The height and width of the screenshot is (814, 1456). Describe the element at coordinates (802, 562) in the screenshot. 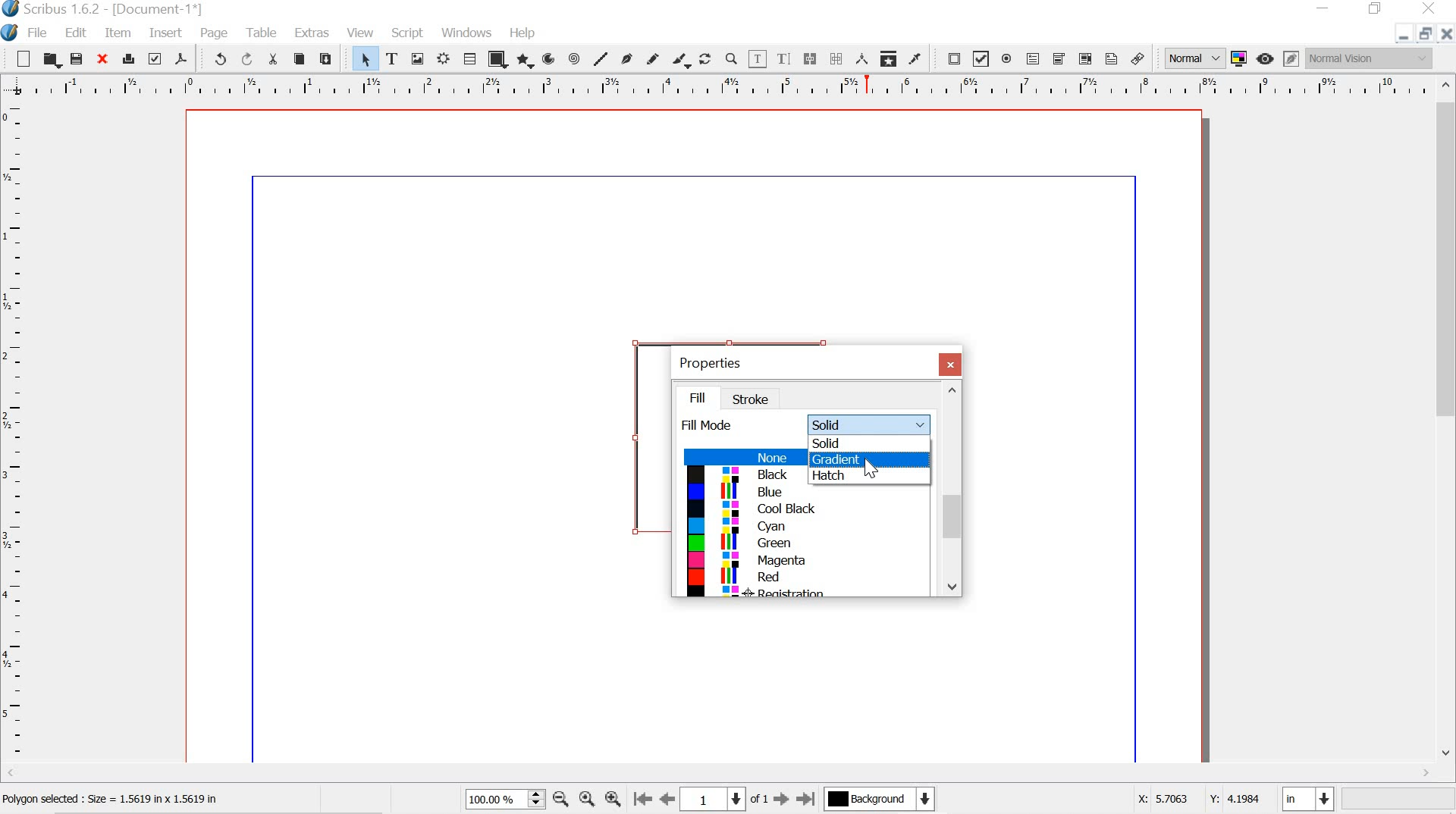

I see `magenta` at that location.